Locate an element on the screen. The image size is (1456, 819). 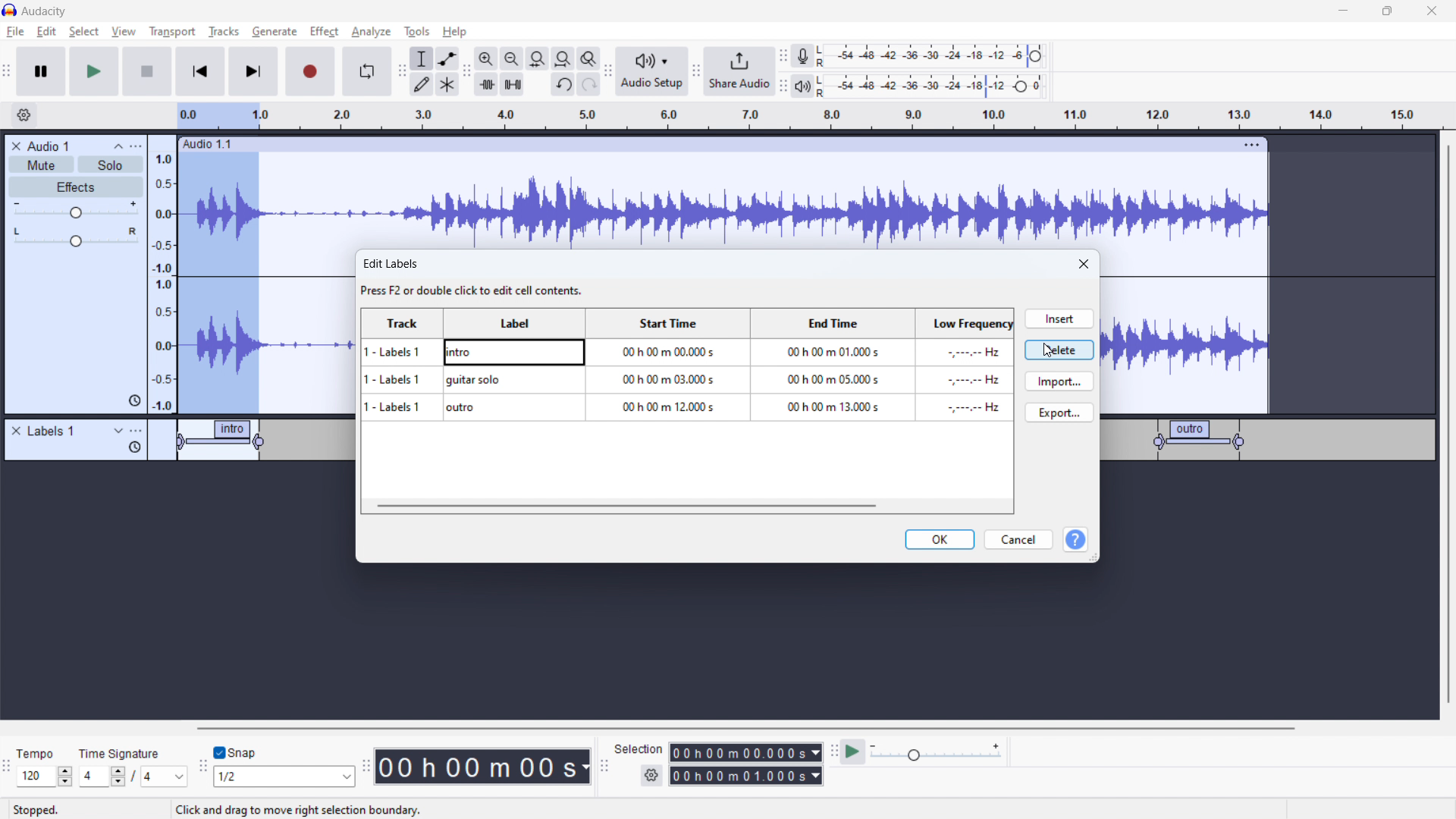
labels is located at coordinates (52, 431).